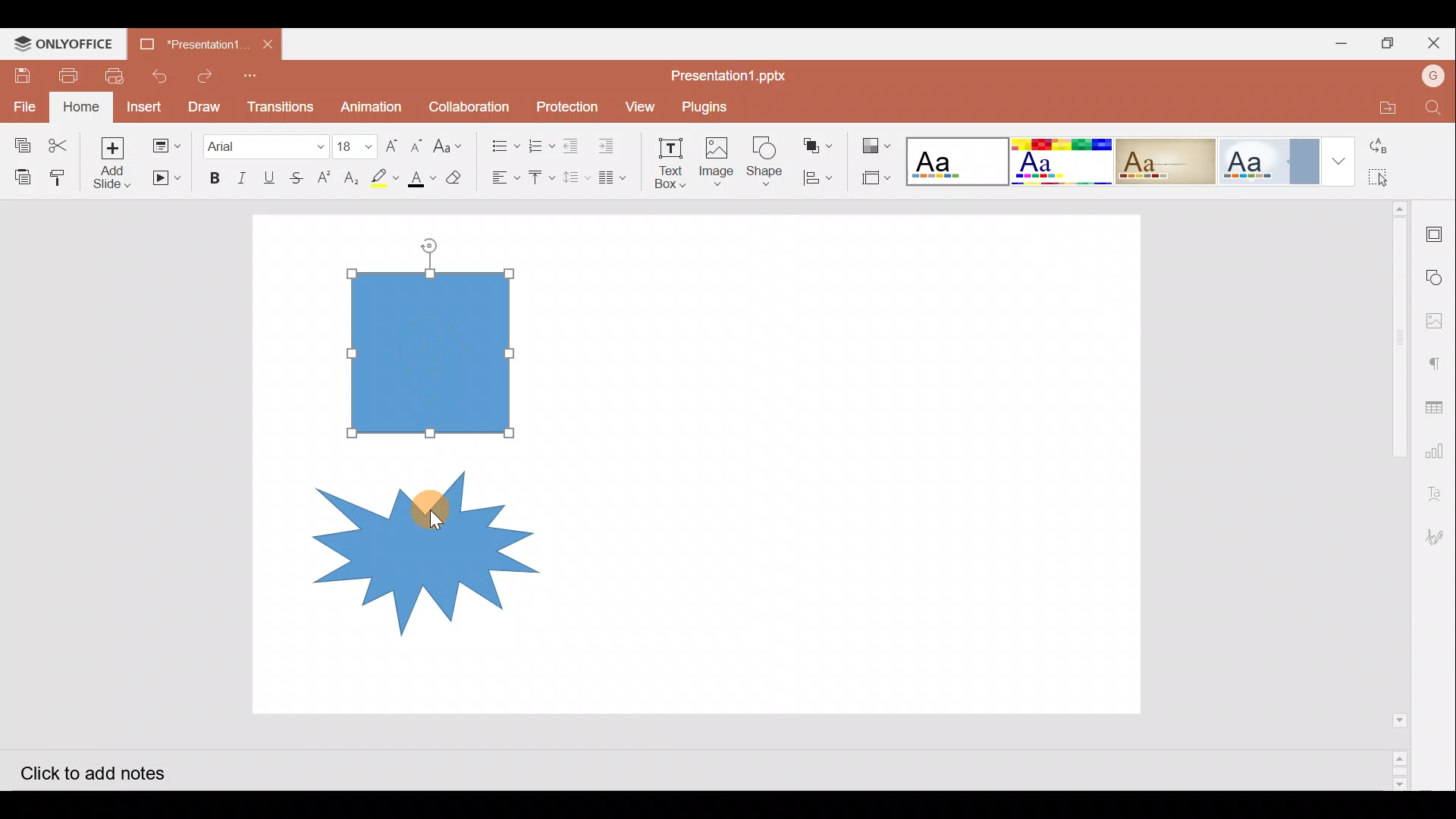 Image resolution: width=1456 pixels, height=819 pixels. What do you see at coordinates (372, 102) in the screenshot?
I see `Animation` at bounding box center [372, 102].